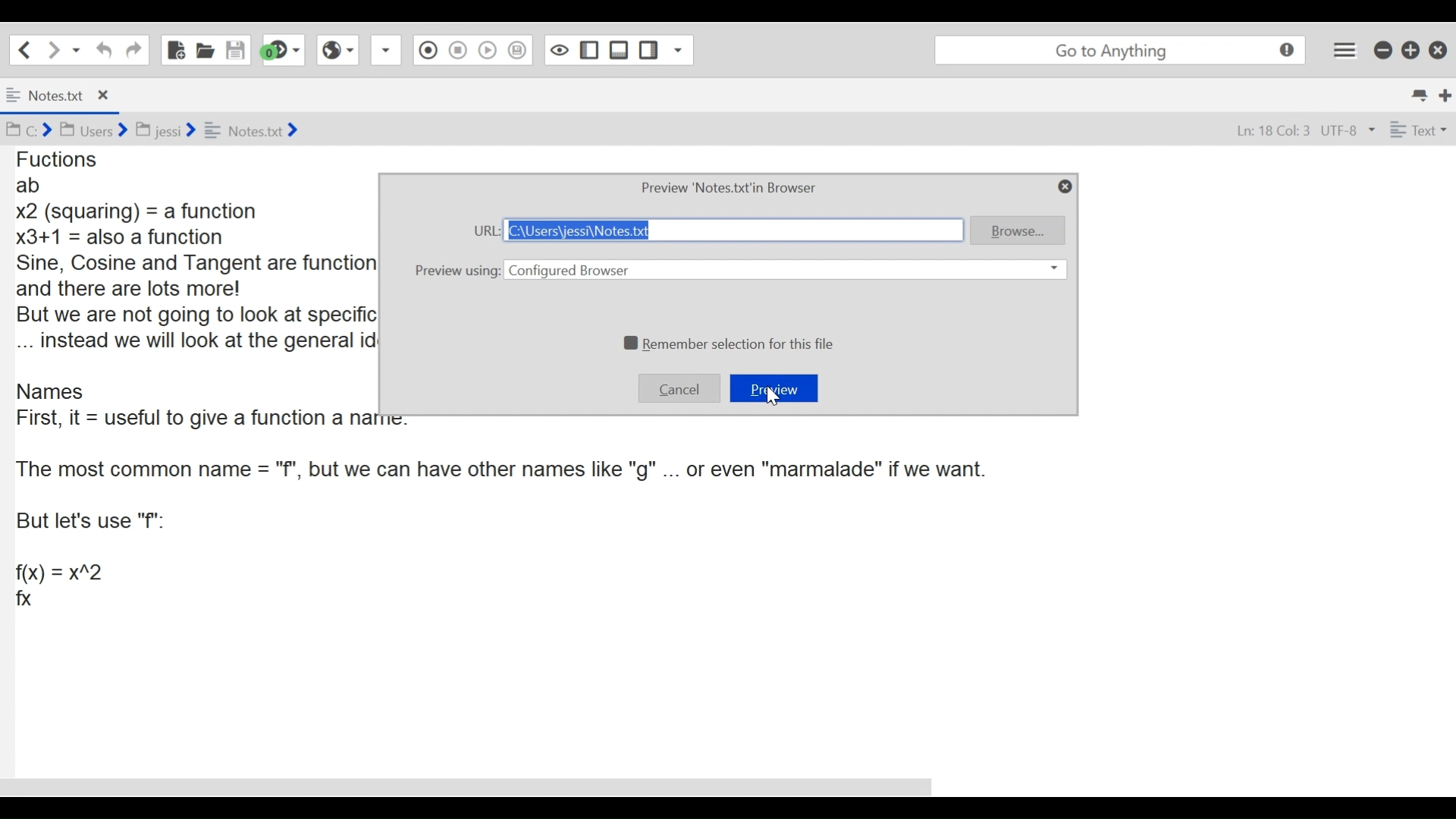 Image resolution: width=1456 pixels, height=819 pixels. I want to click on ln: 18 col:3, so click(1271, 130).